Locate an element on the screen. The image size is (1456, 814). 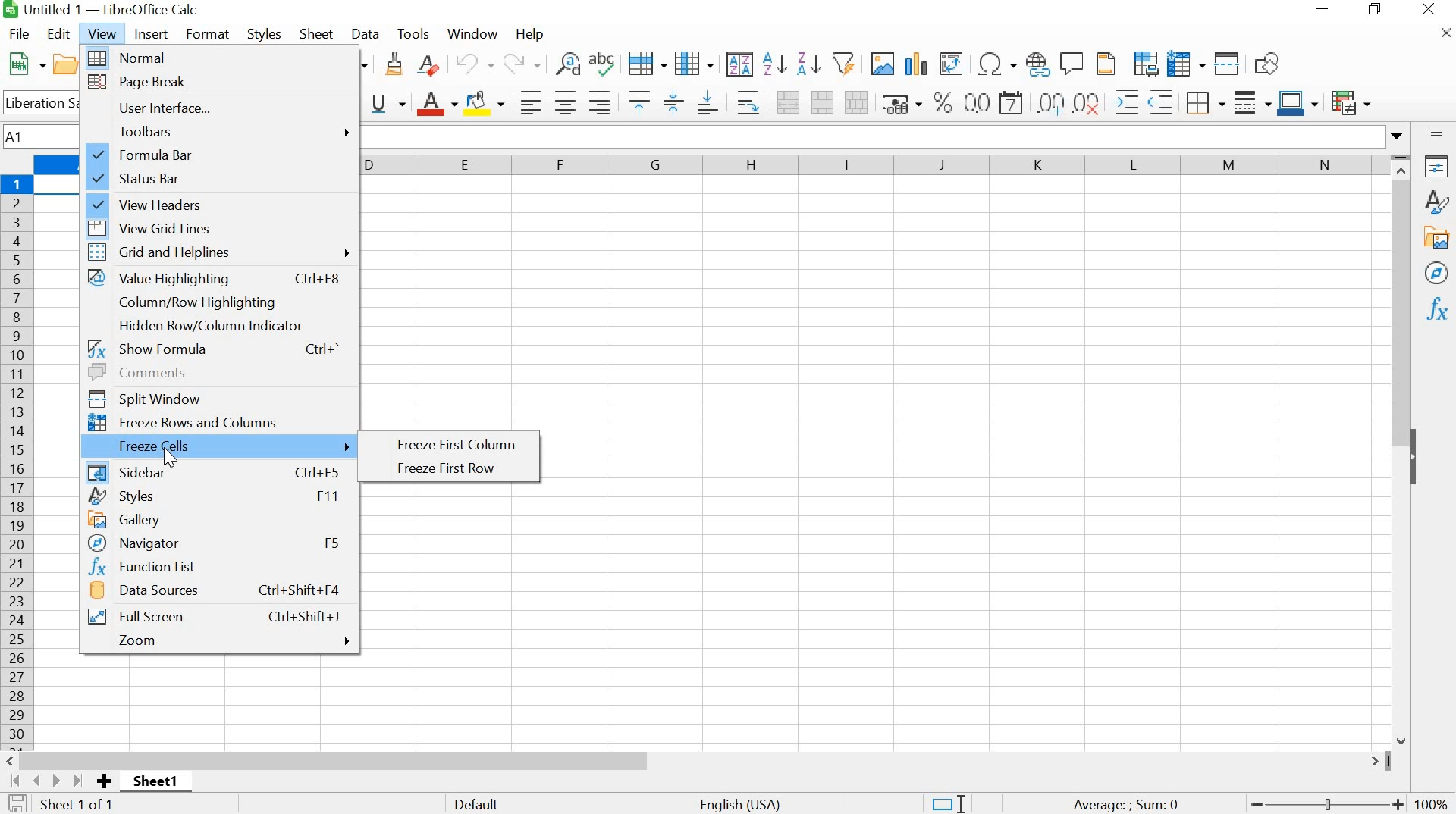
HIDDEN ROW/COLUMN INDICATOR is located at coordinates (210, 325).